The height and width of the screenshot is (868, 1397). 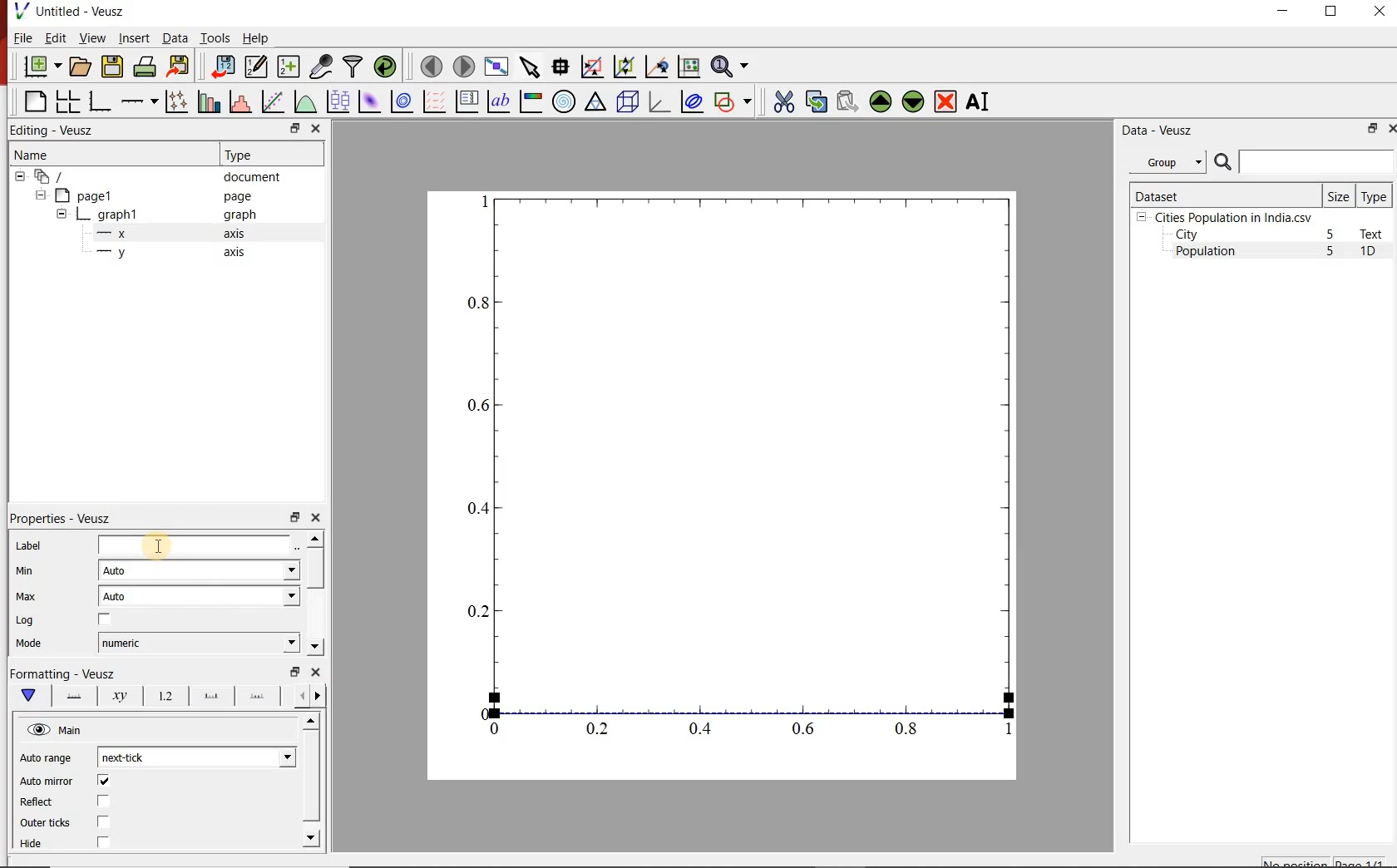 I want to click on Editing - Veusz, so click(x=61, y=130).